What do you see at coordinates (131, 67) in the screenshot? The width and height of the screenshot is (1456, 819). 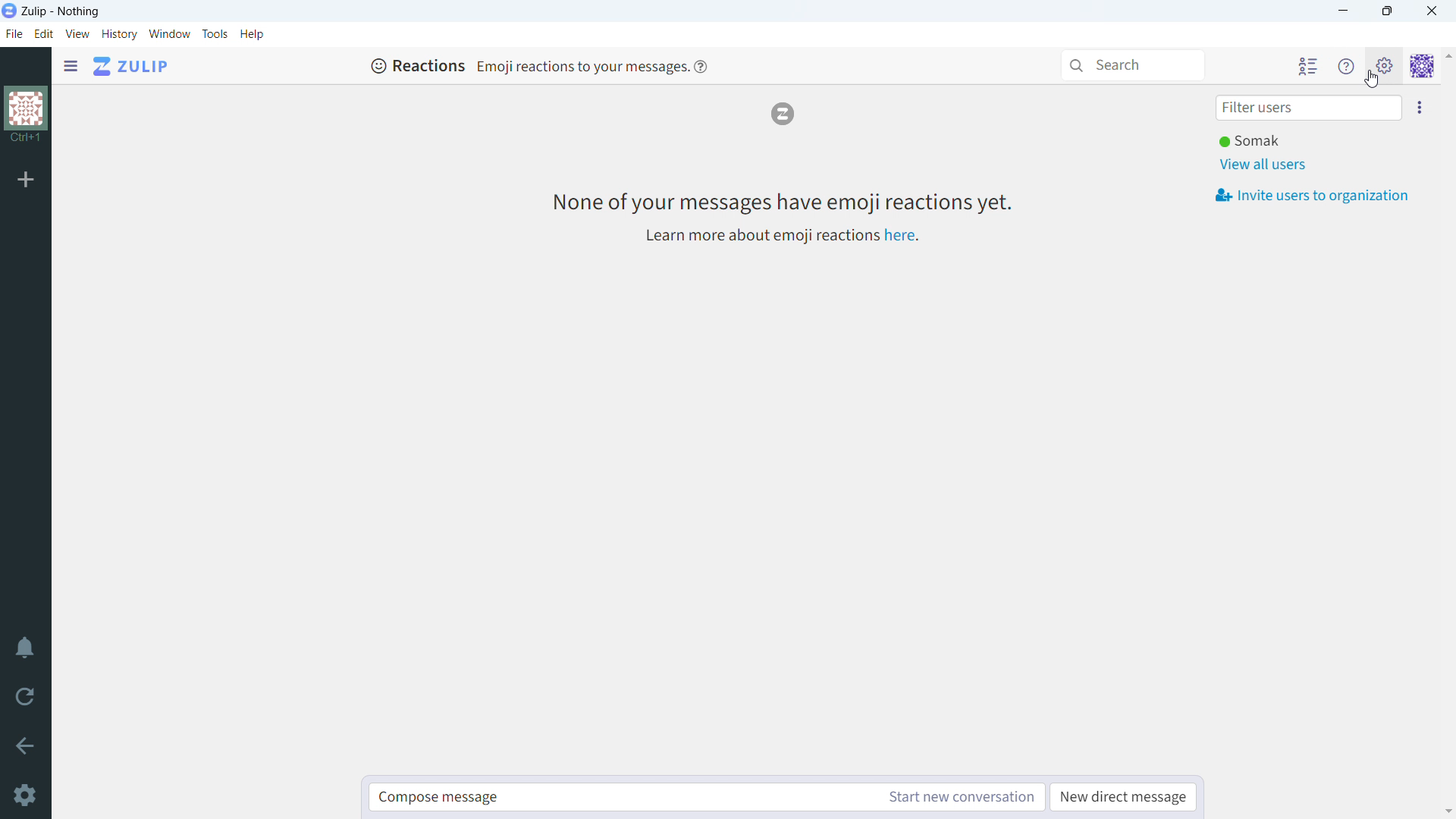 I see `go to home view` at bounding box center [131, 67].